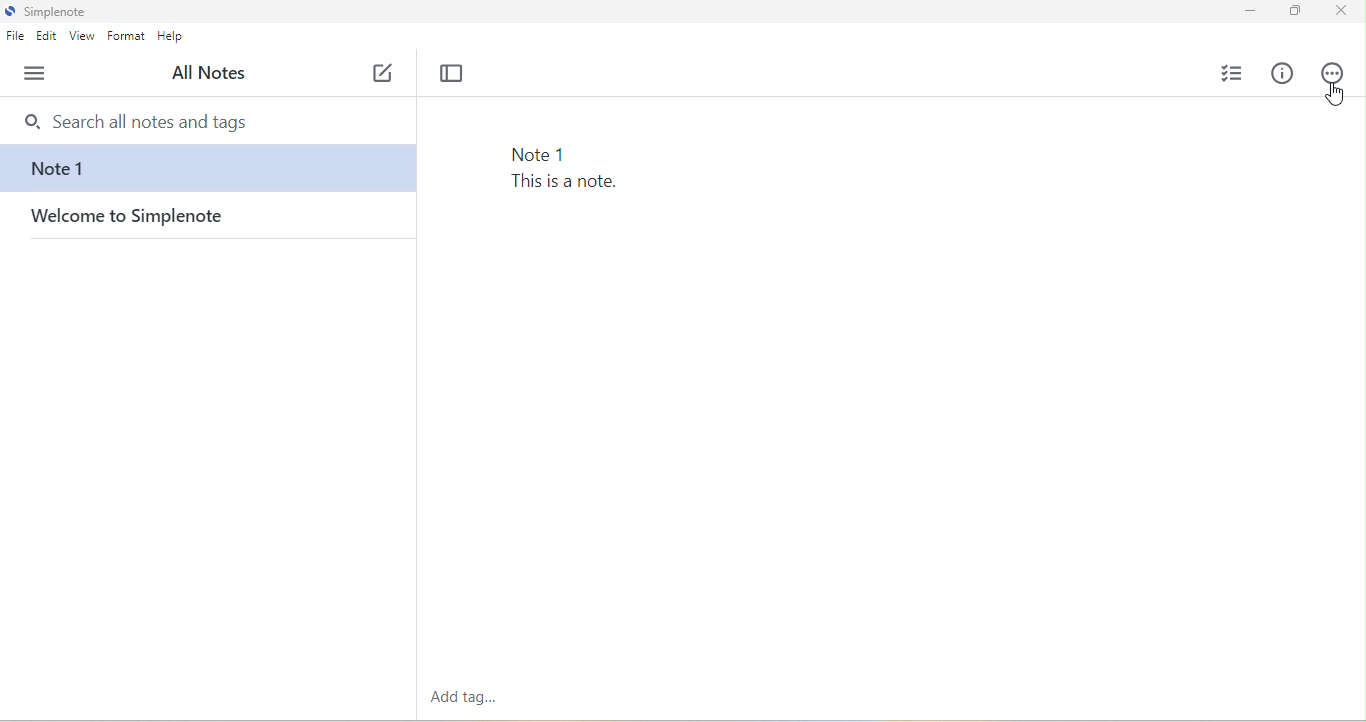 The image size is (1366, 722). What do you see at coordinates (1281, 73) in the screenshot?
I see `info` at bounding box center [1281, 73].